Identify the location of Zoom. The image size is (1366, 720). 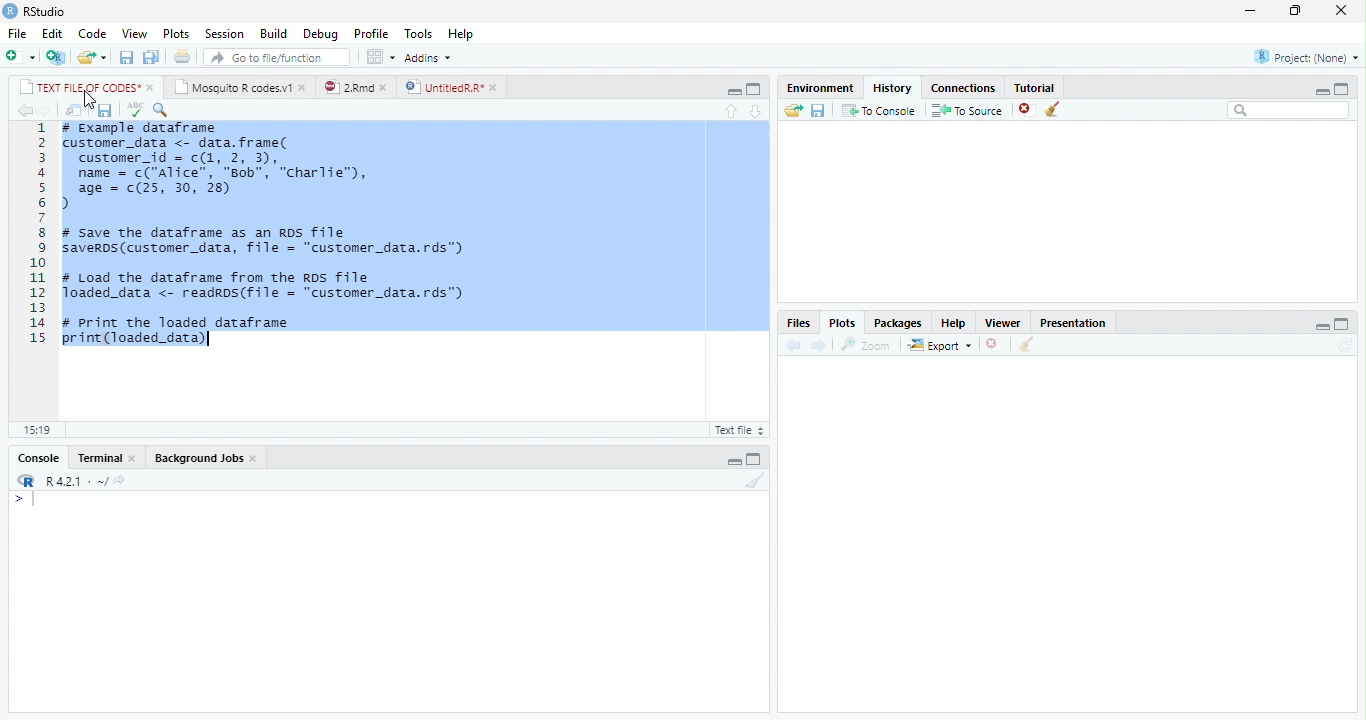
(866, 345).